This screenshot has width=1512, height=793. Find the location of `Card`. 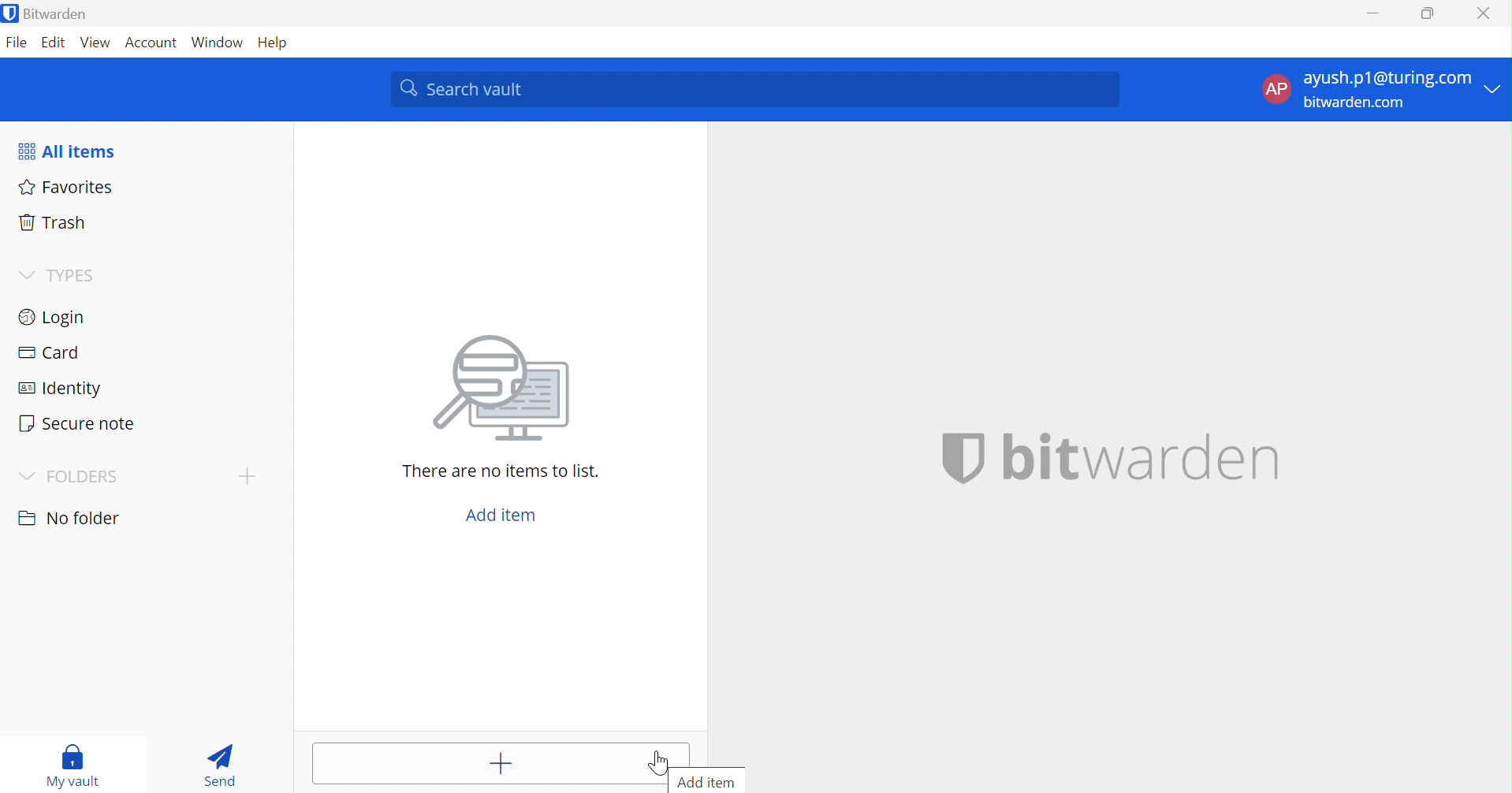

Card is located at coordinates (50, 352).